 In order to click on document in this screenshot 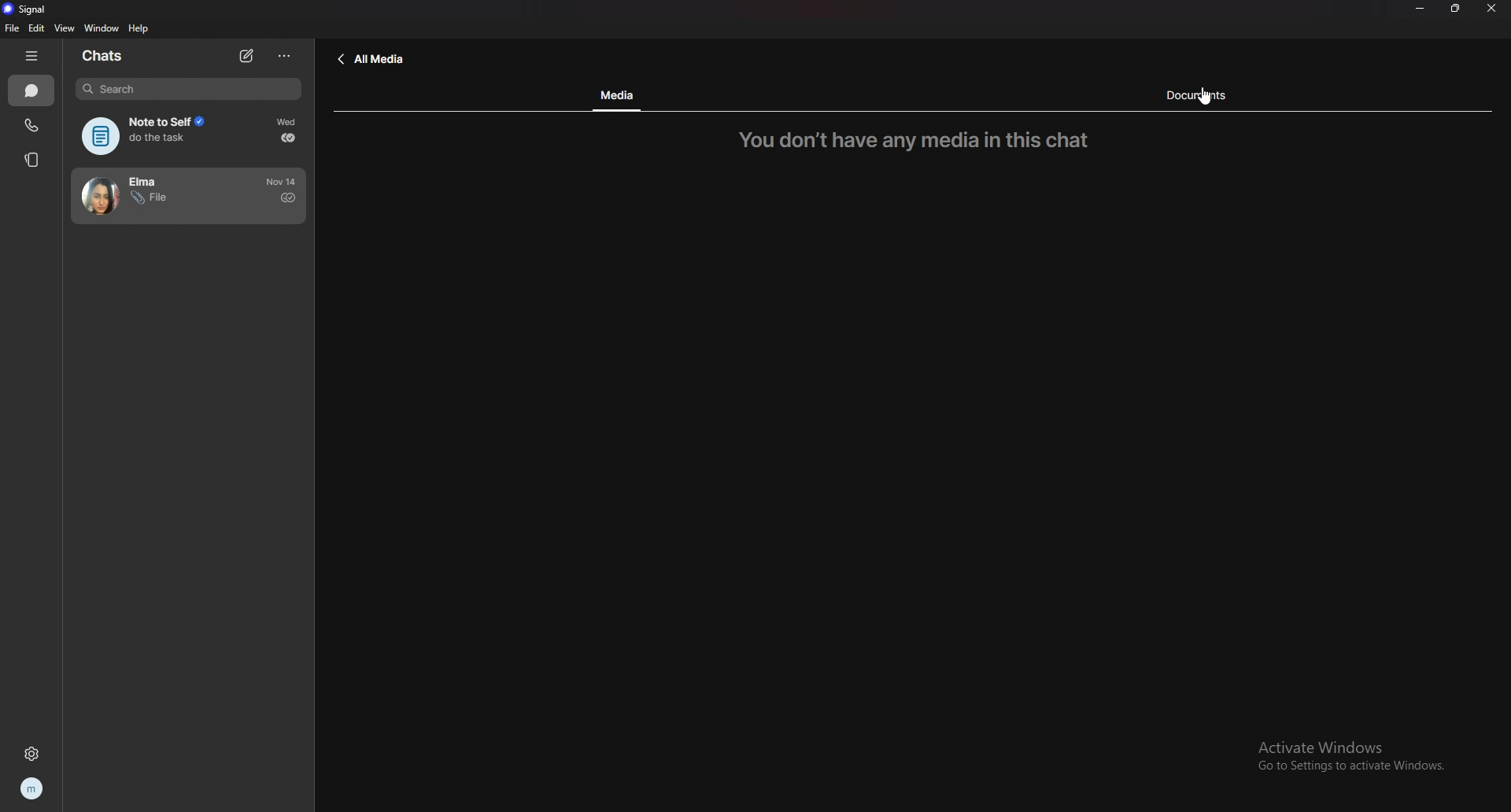, I will do `click(1205, 95)`.